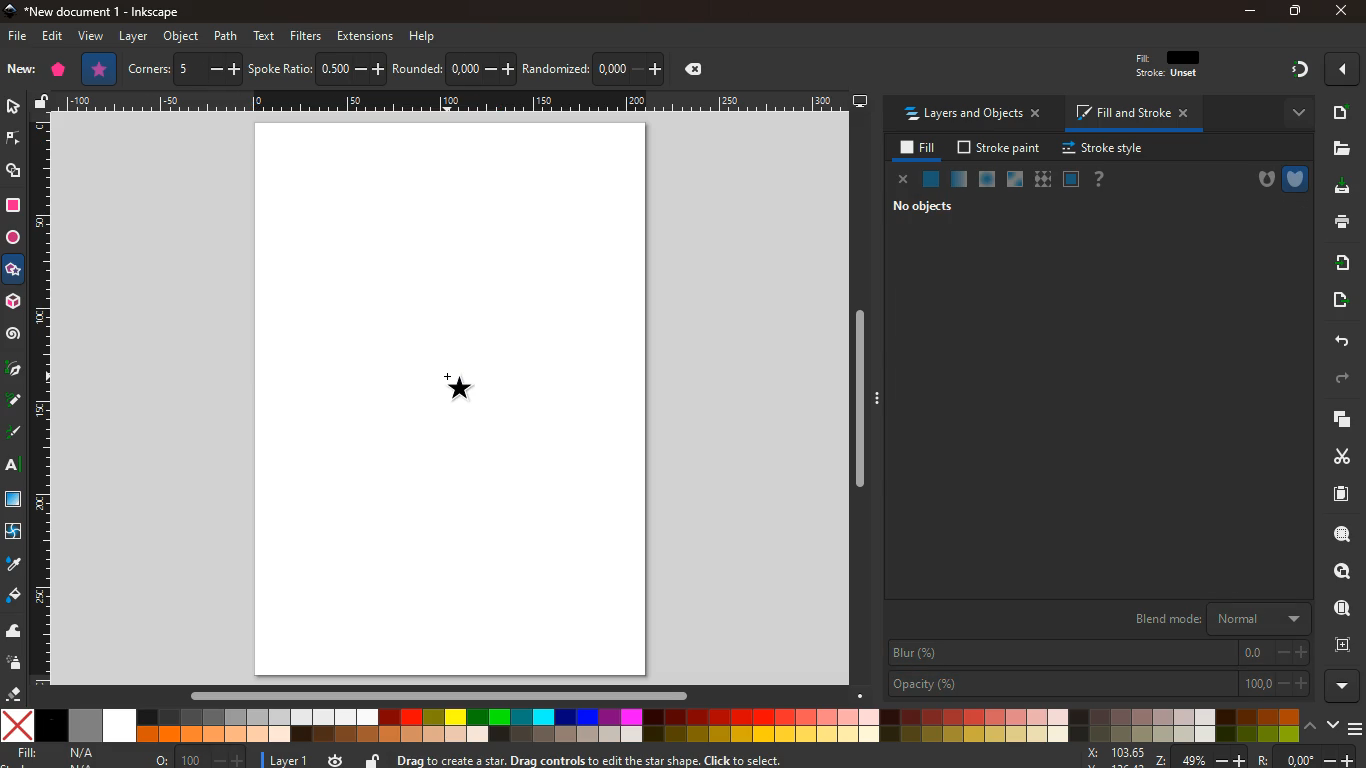 This screenshot has height=768, width=1366. What do you see at coordinates (455, 103) in the screenshot?
I see `Draw scale` at bounding box center [455, 103].